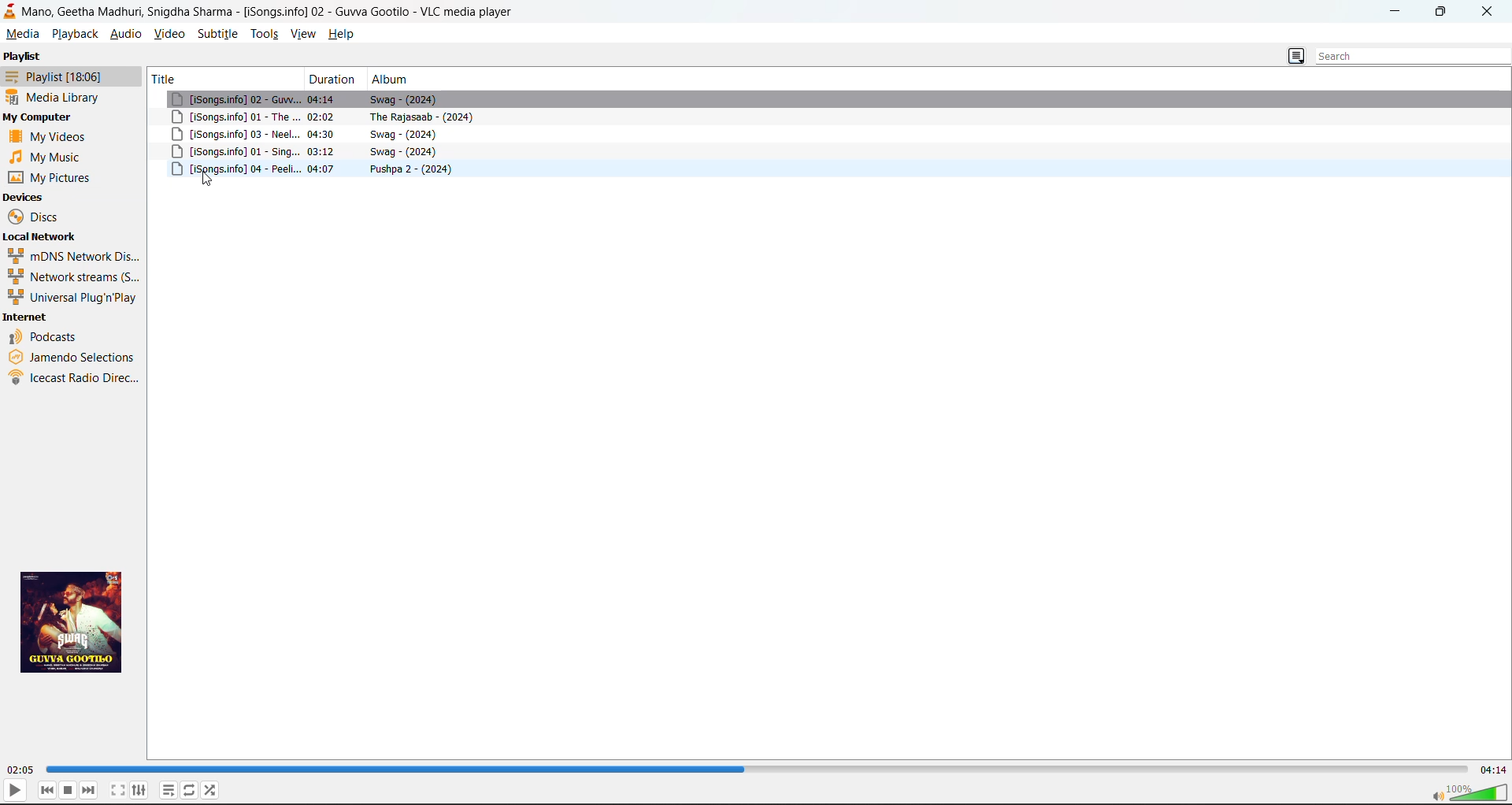  Describe the element at coordinates (52, 76) in the screenshot. I see `playlist` at that location.